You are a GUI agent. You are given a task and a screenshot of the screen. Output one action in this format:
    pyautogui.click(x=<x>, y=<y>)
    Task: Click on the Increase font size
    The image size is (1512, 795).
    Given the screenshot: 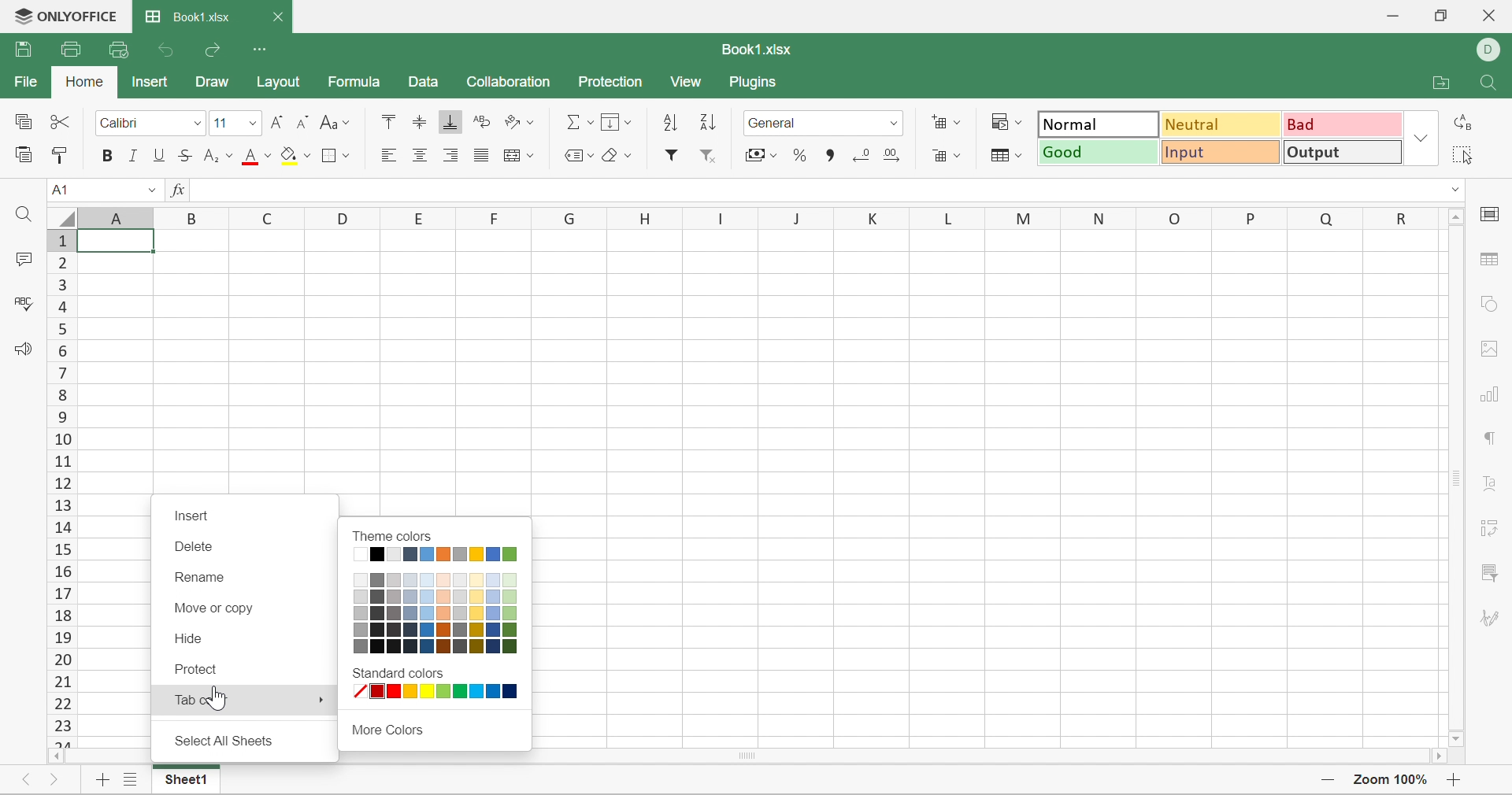 What is the action you would take?
    pyautogui.click(x=279, y=124)
    